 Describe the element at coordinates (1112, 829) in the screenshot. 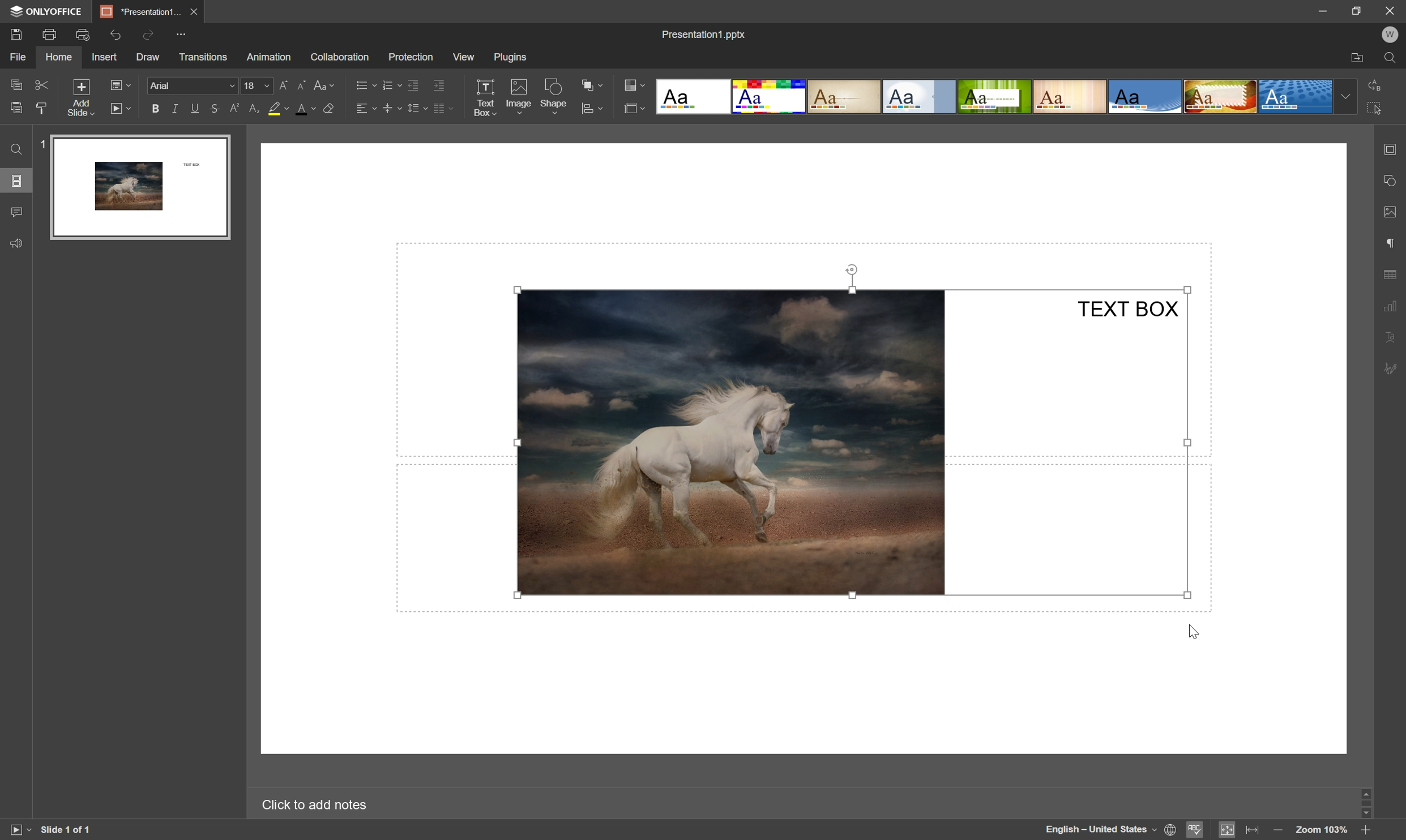

I see `set document language` at that location.